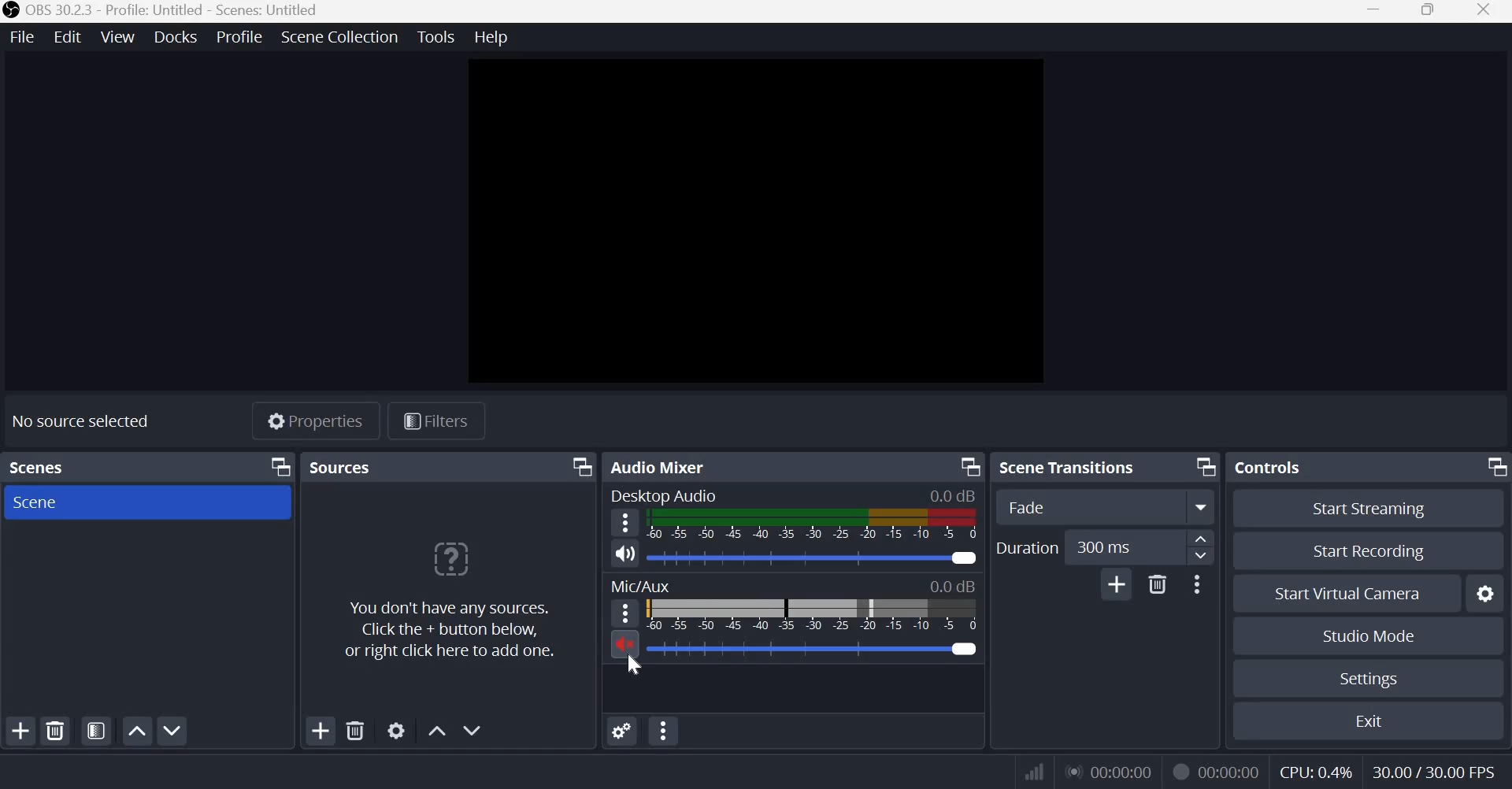 The image size is (1512, 789). Describe the element at coordinates (67, 39) in the screenshot. I see `Edit` at that location.